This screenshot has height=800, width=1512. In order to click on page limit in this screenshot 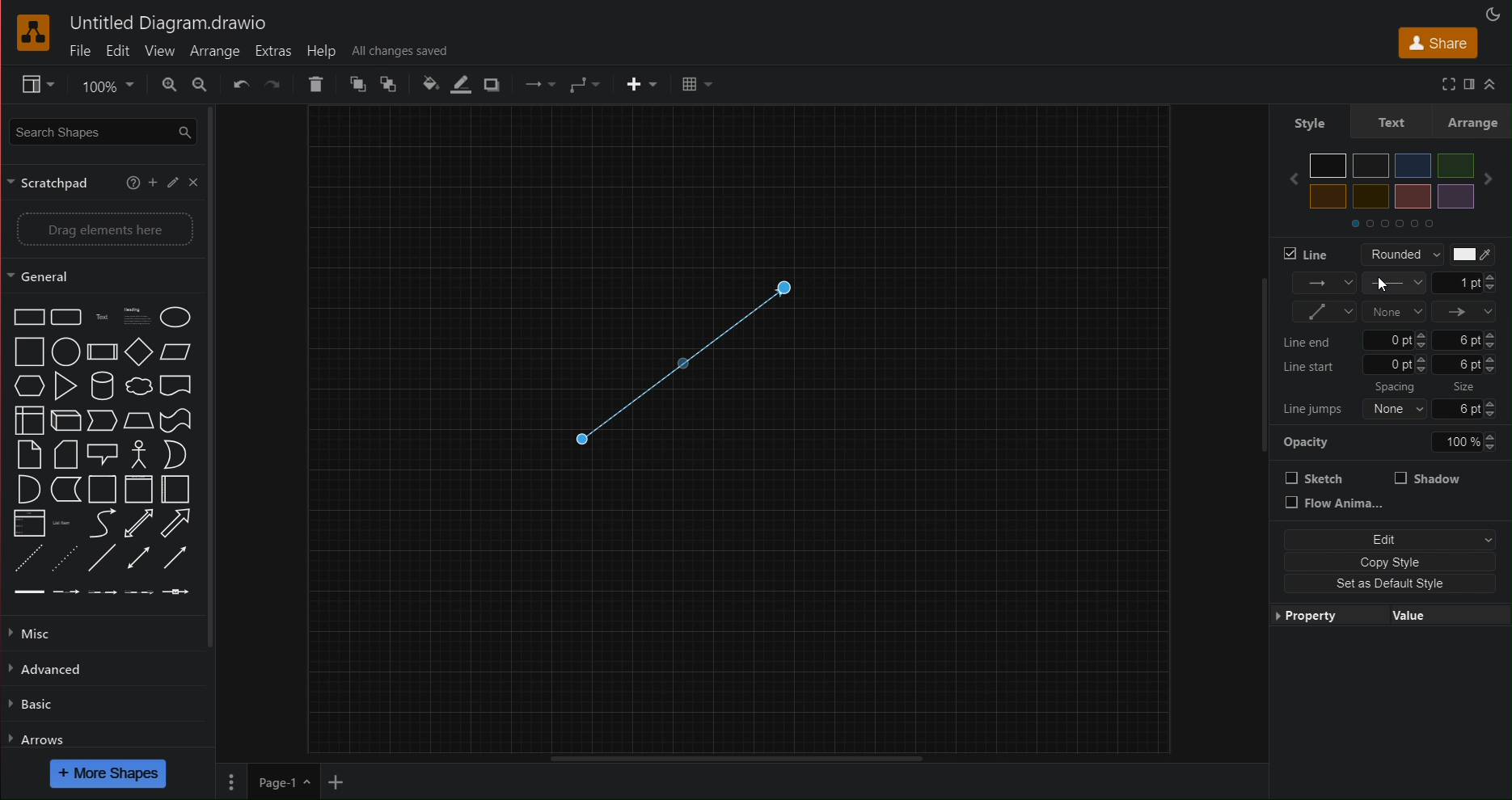, I will do `click(735, 756)`.